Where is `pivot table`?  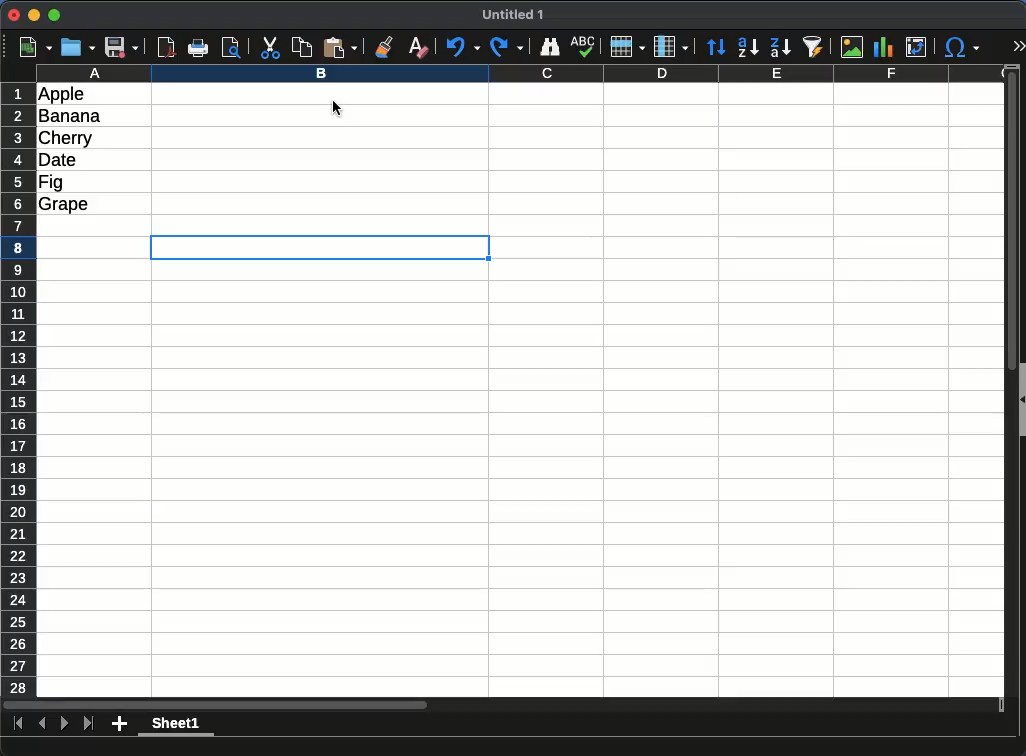 pivot table is located at coordinates (916, 47).